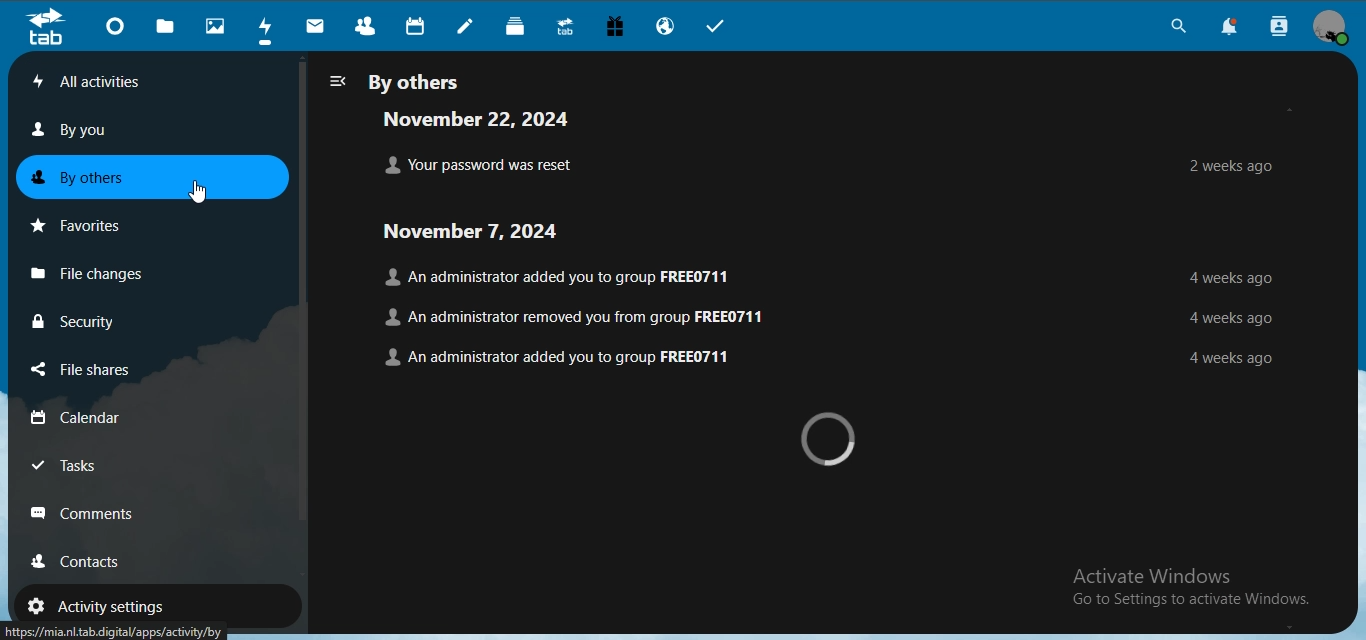 The width and height of the screenshot is (1366, 640). I want to click on email hosting, so click(668, 26).